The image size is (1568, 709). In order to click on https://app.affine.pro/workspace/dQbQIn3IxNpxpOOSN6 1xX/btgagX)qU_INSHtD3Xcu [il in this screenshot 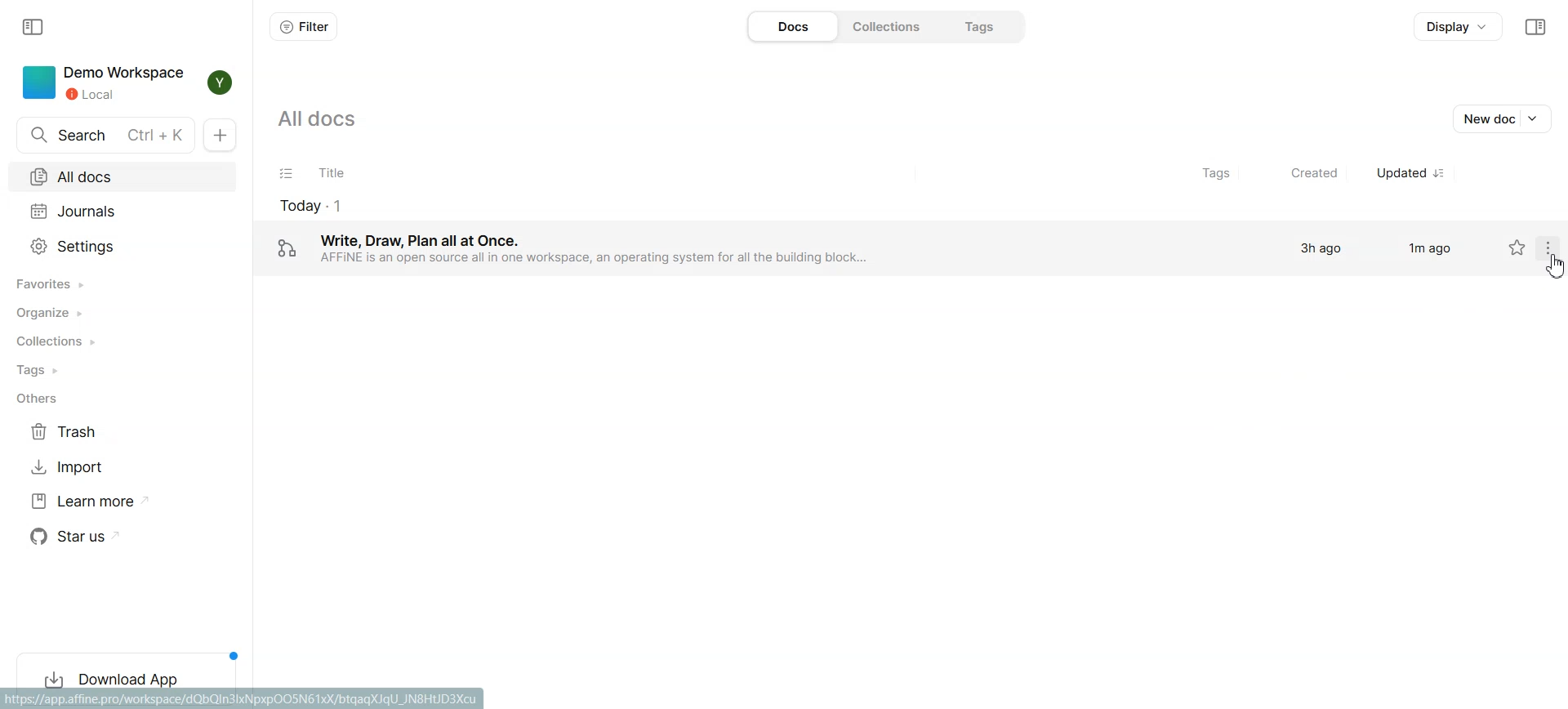, I will do `click(247, 699)`.